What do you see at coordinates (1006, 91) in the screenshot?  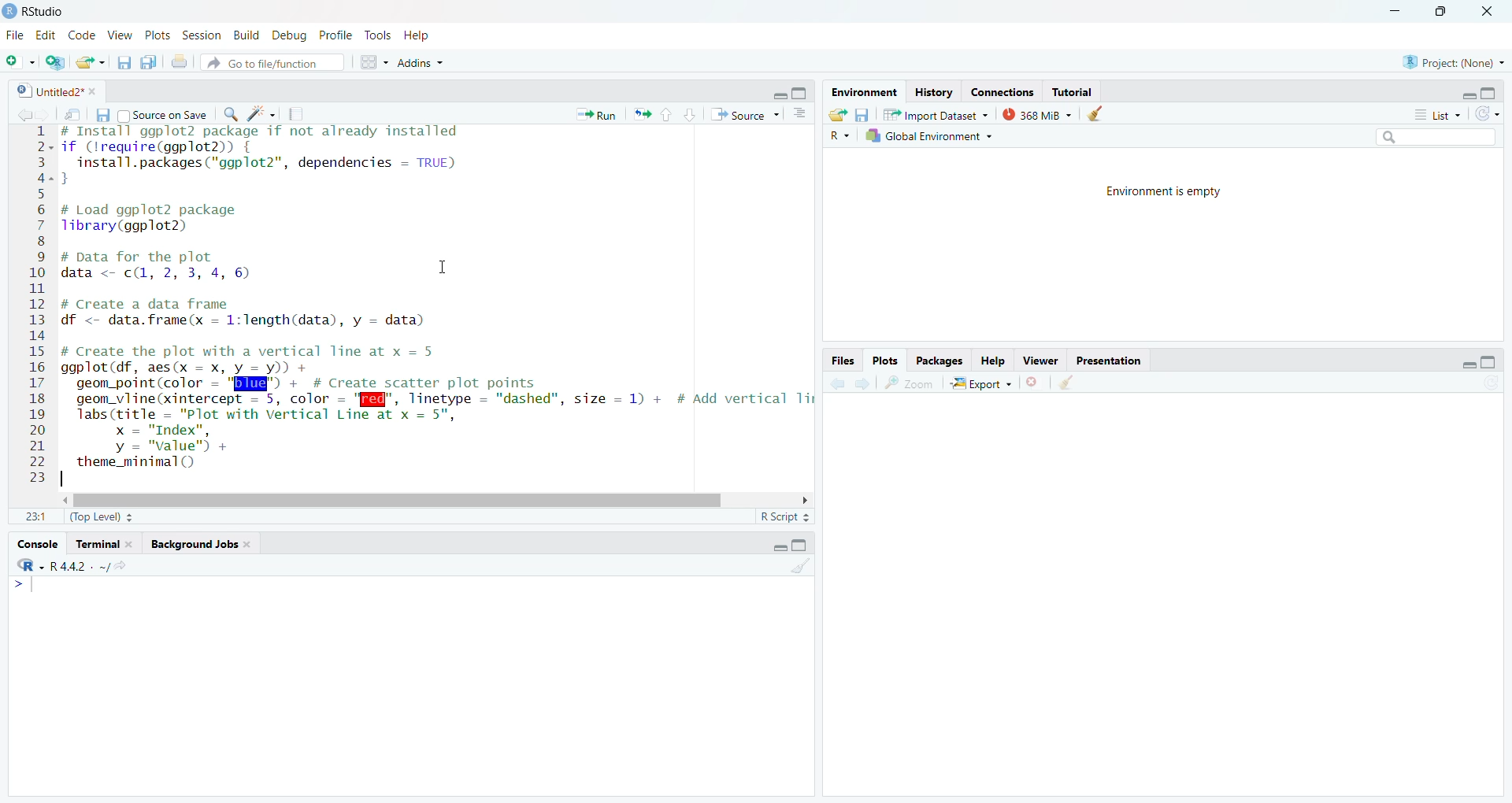 I see `Connections` at bounding box center [1006, 91].